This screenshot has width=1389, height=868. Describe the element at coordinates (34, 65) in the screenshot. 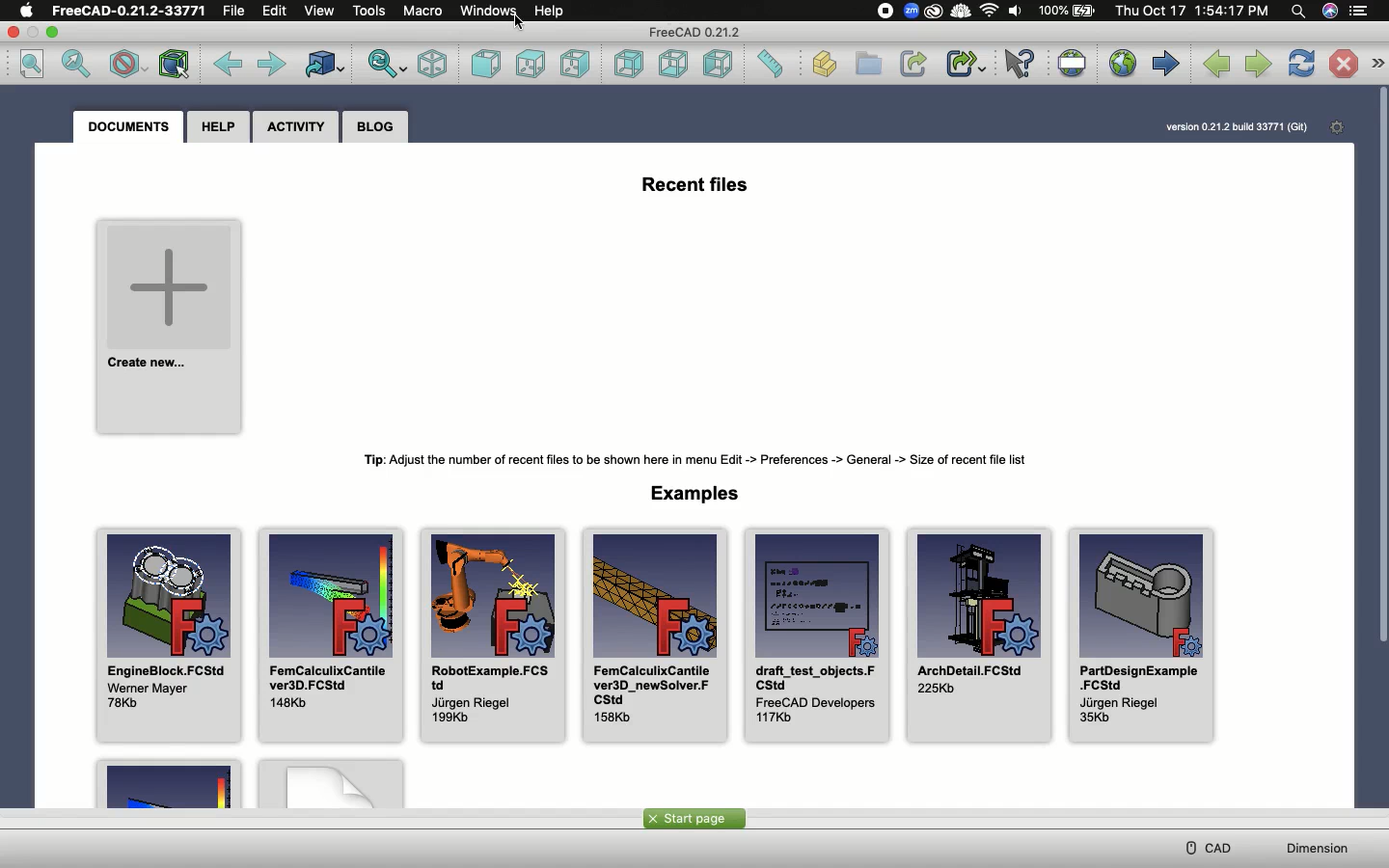

I see `Fit all` at that location.